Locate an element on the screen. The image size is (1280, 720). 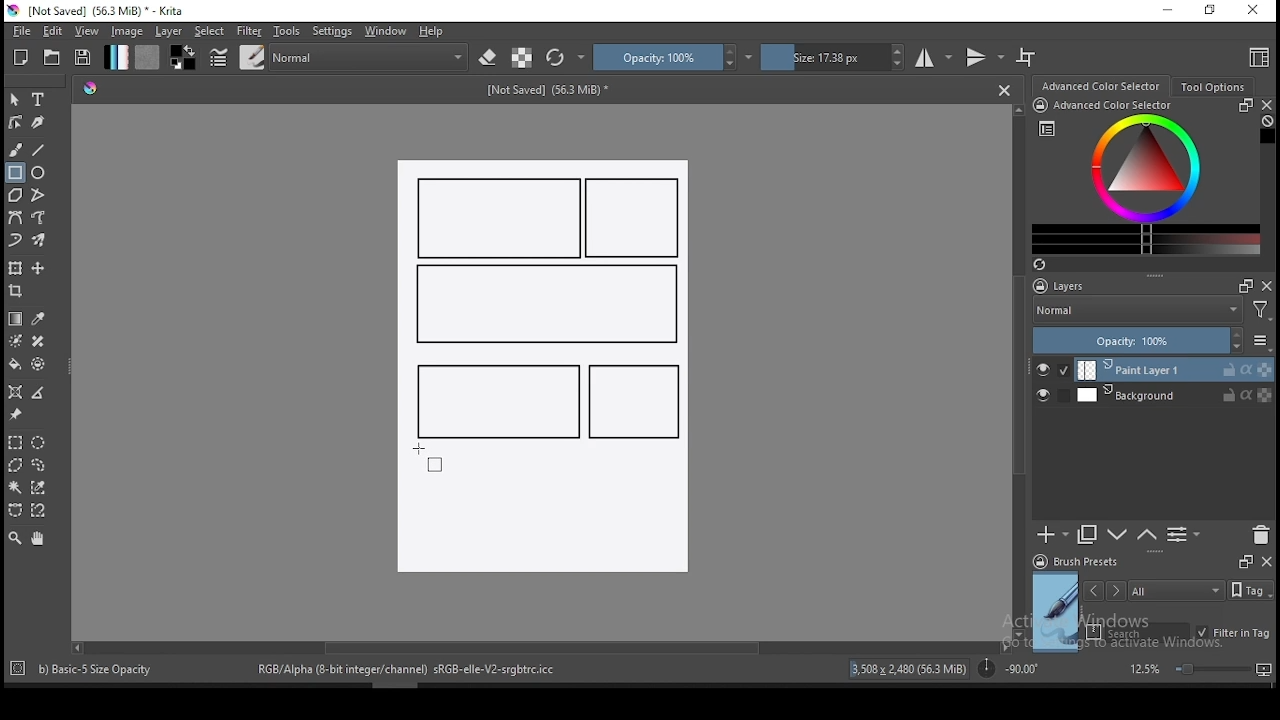
brush tool is located at coordinates (17, 149).